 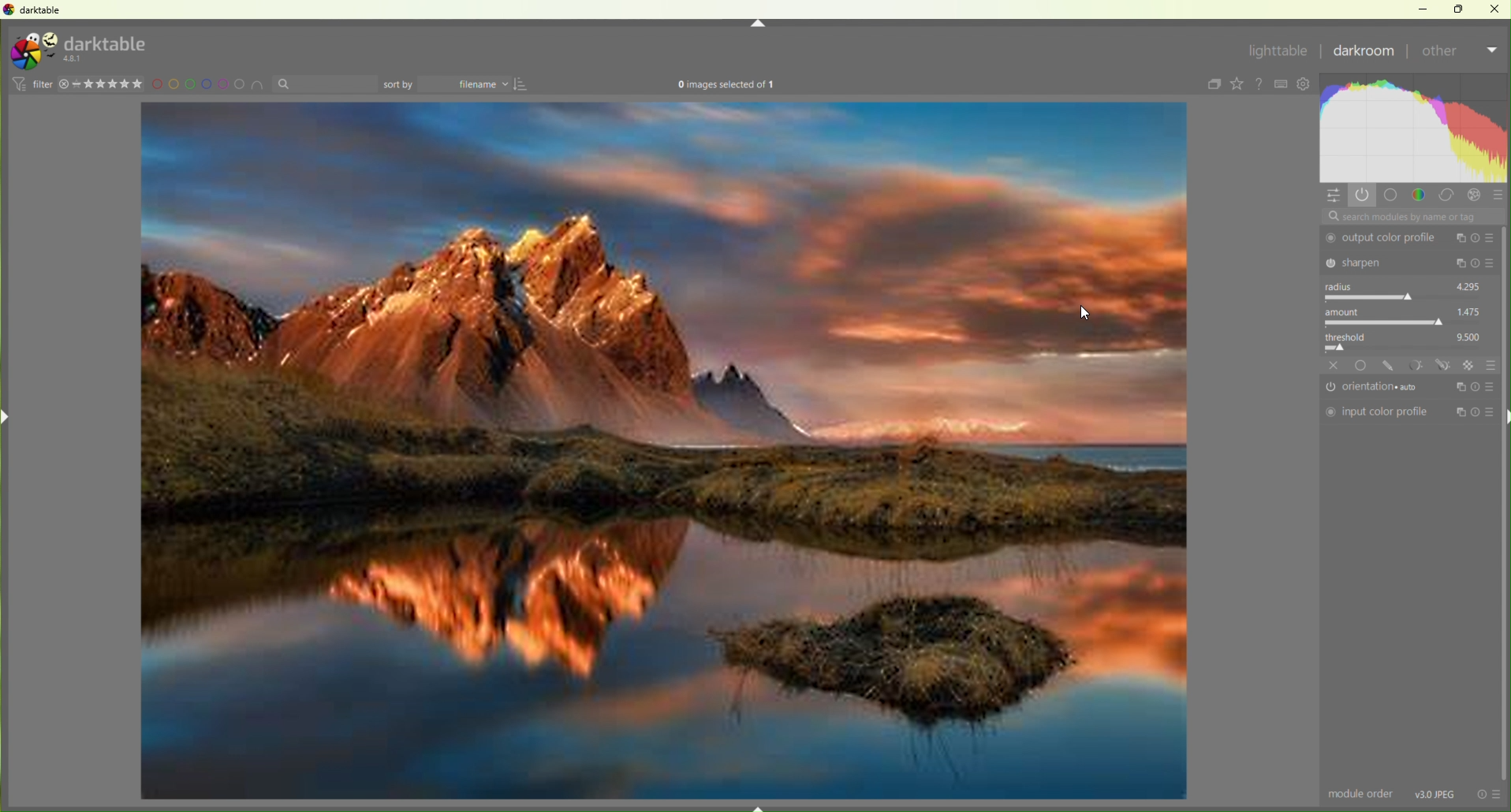 I want to click on Cursor, so click(x=1091, y=313).